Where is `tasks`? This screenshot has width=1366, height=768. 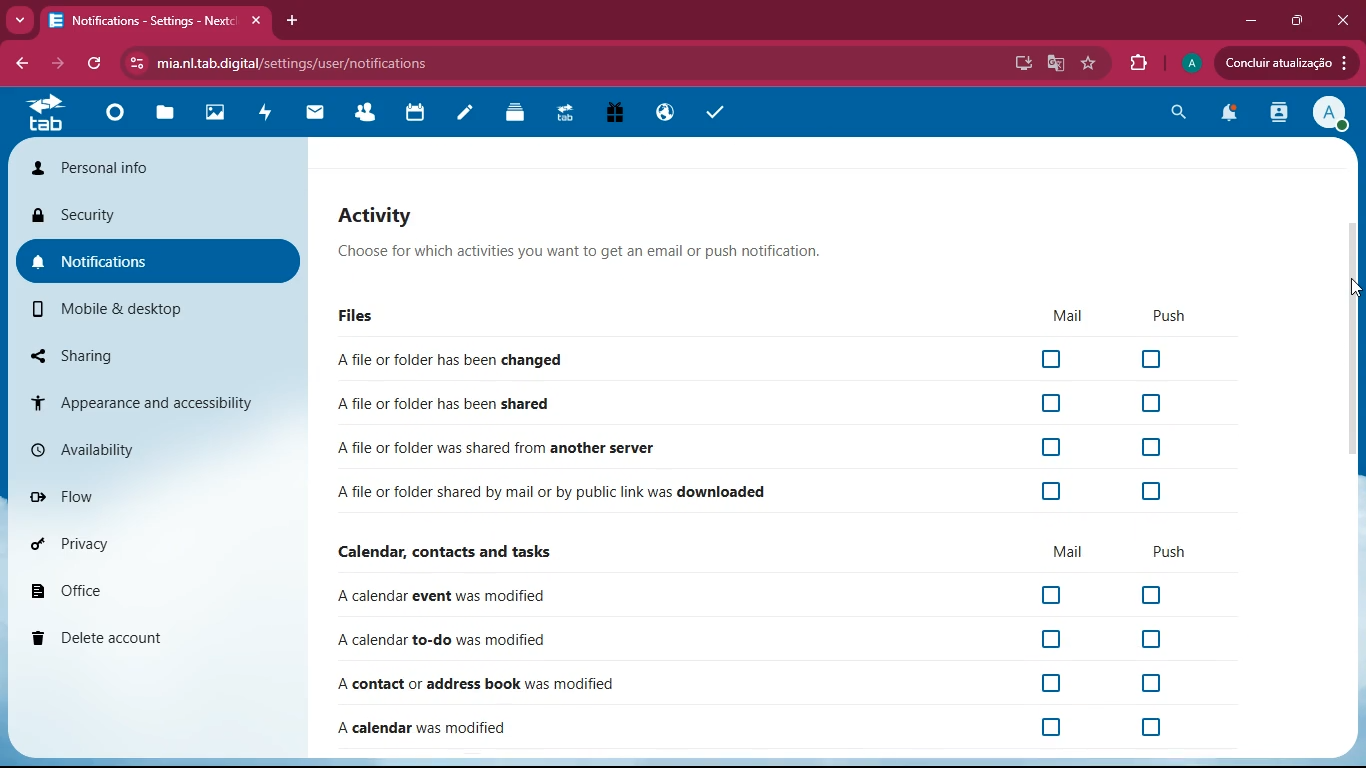
tasks is located at coordinates (717, 111).